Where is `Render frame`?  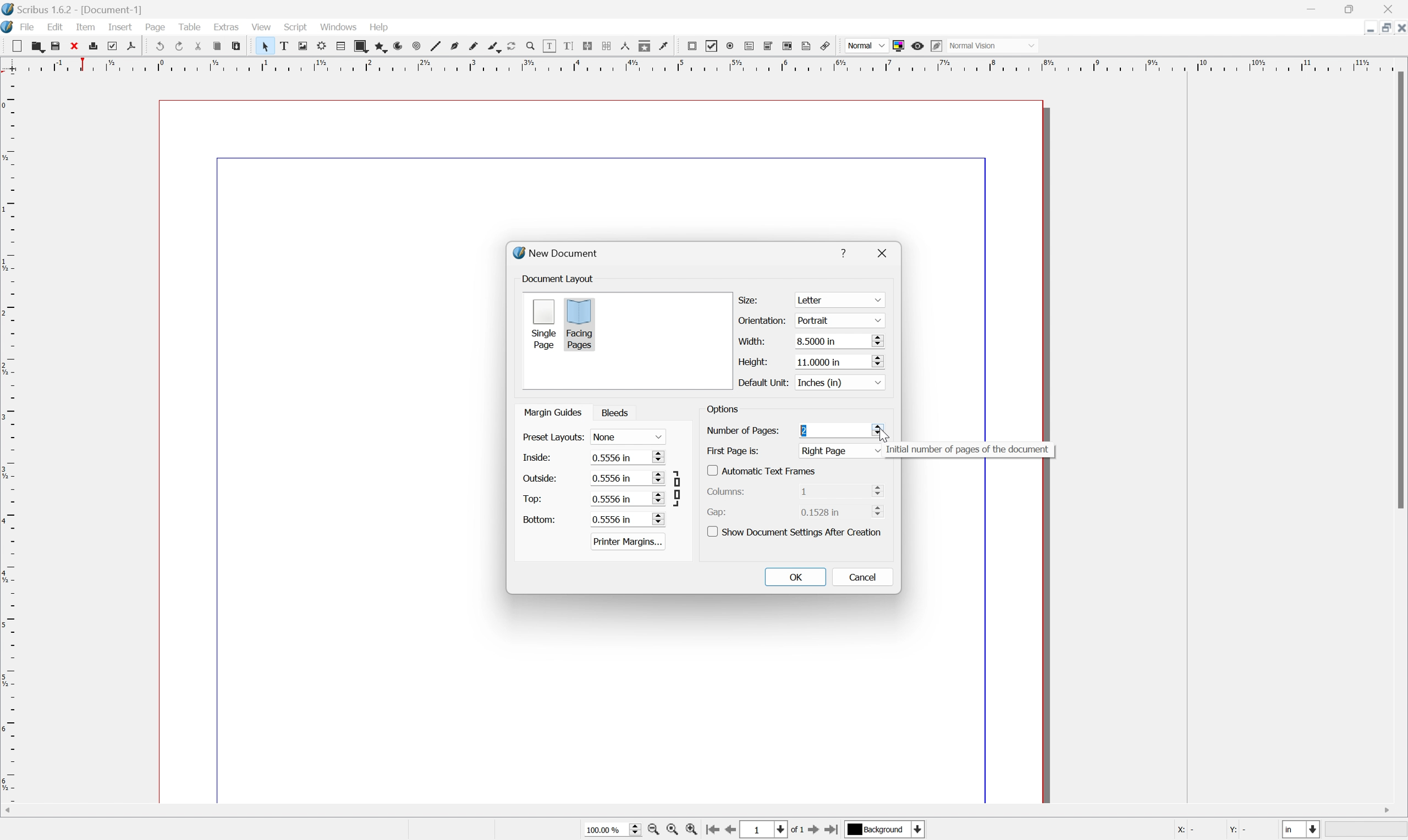
Render frame is located at coordinates (320, 46).